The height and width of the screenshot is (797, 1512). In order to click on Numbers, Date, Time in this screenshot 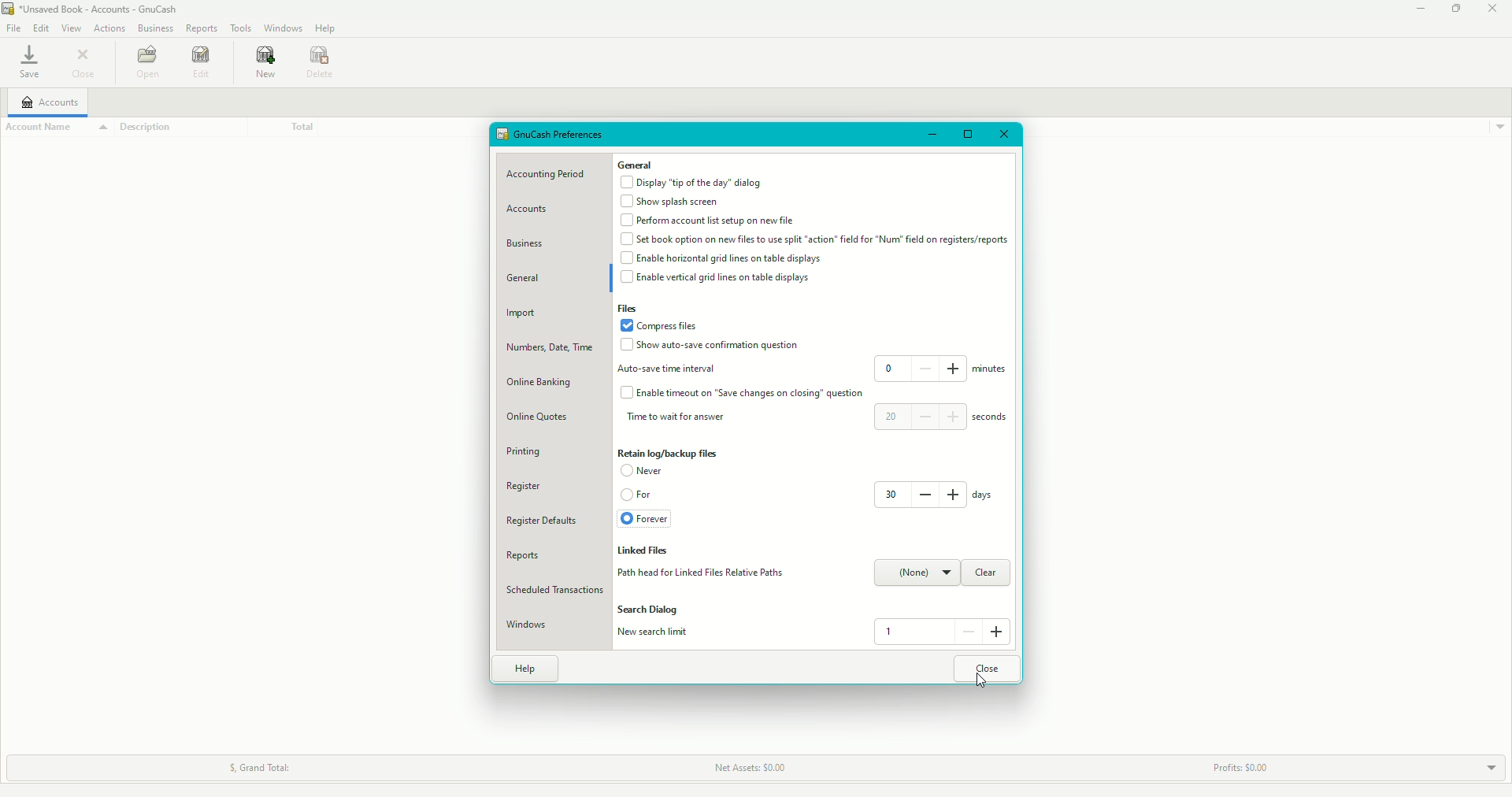, I will do `click(553, 350)`.